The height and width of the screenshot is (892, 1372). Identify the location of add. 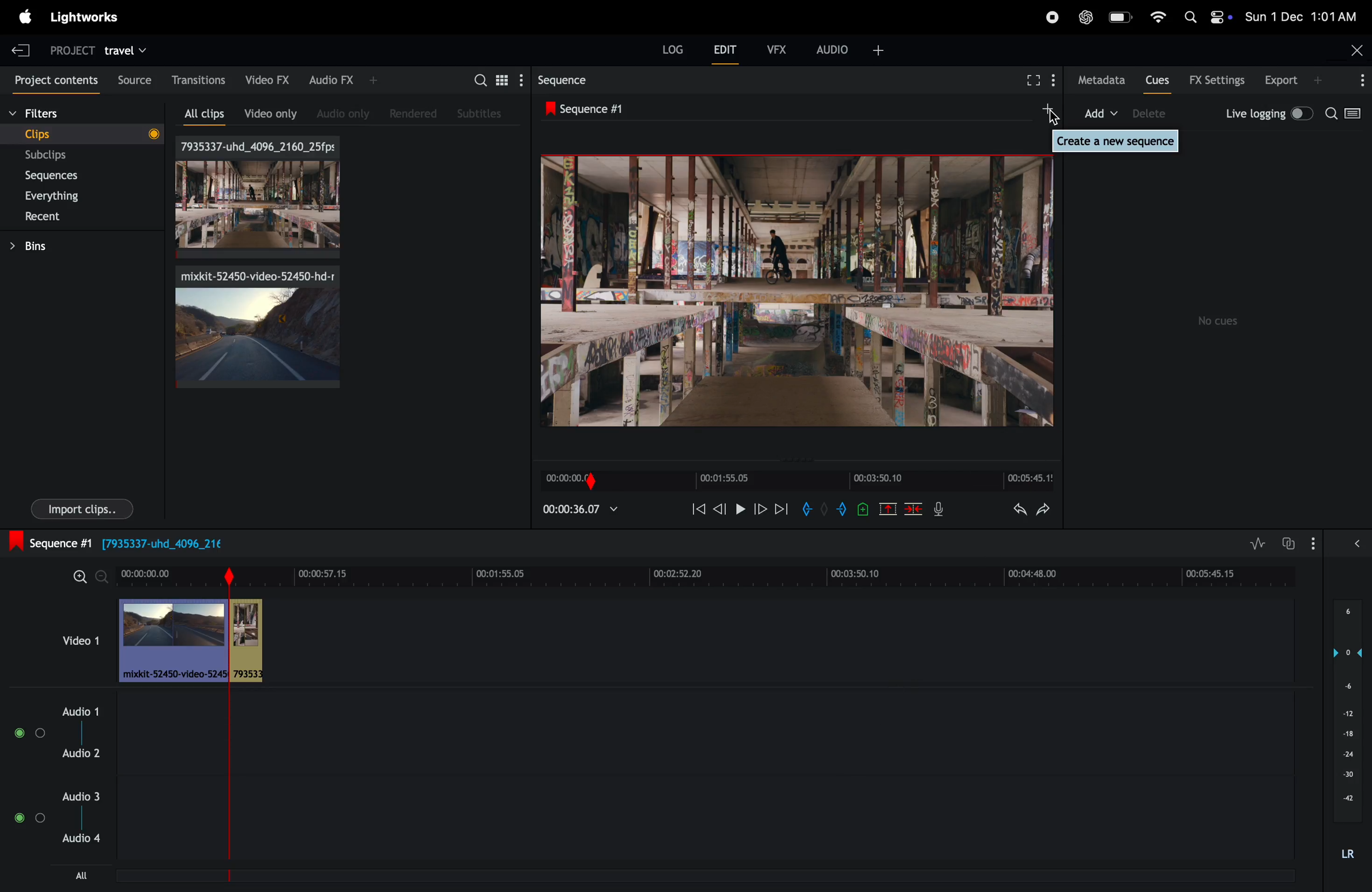
(1101, 111).